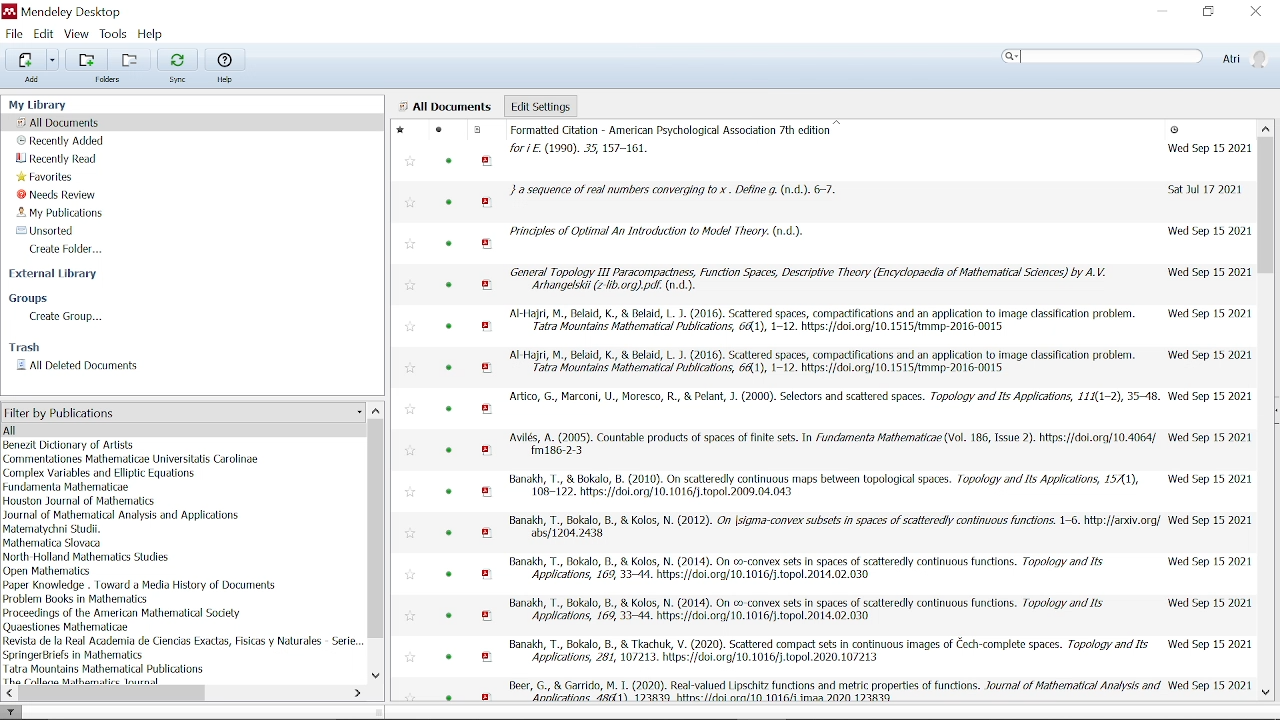 The height and width of the screenshot is (720, 1280). I want to click on date time, so click(1208, 355).